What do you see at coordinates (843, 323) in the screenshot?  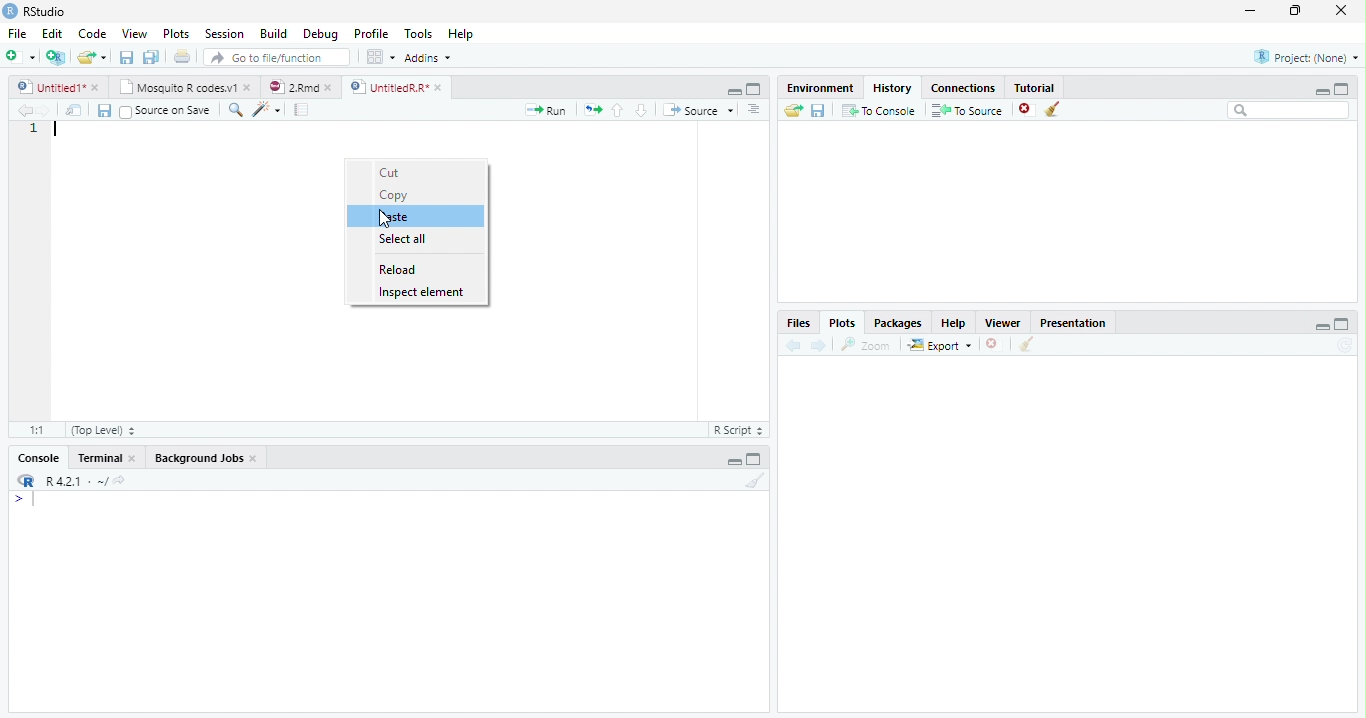 I see `Plots` at bounding box center [843, 323].